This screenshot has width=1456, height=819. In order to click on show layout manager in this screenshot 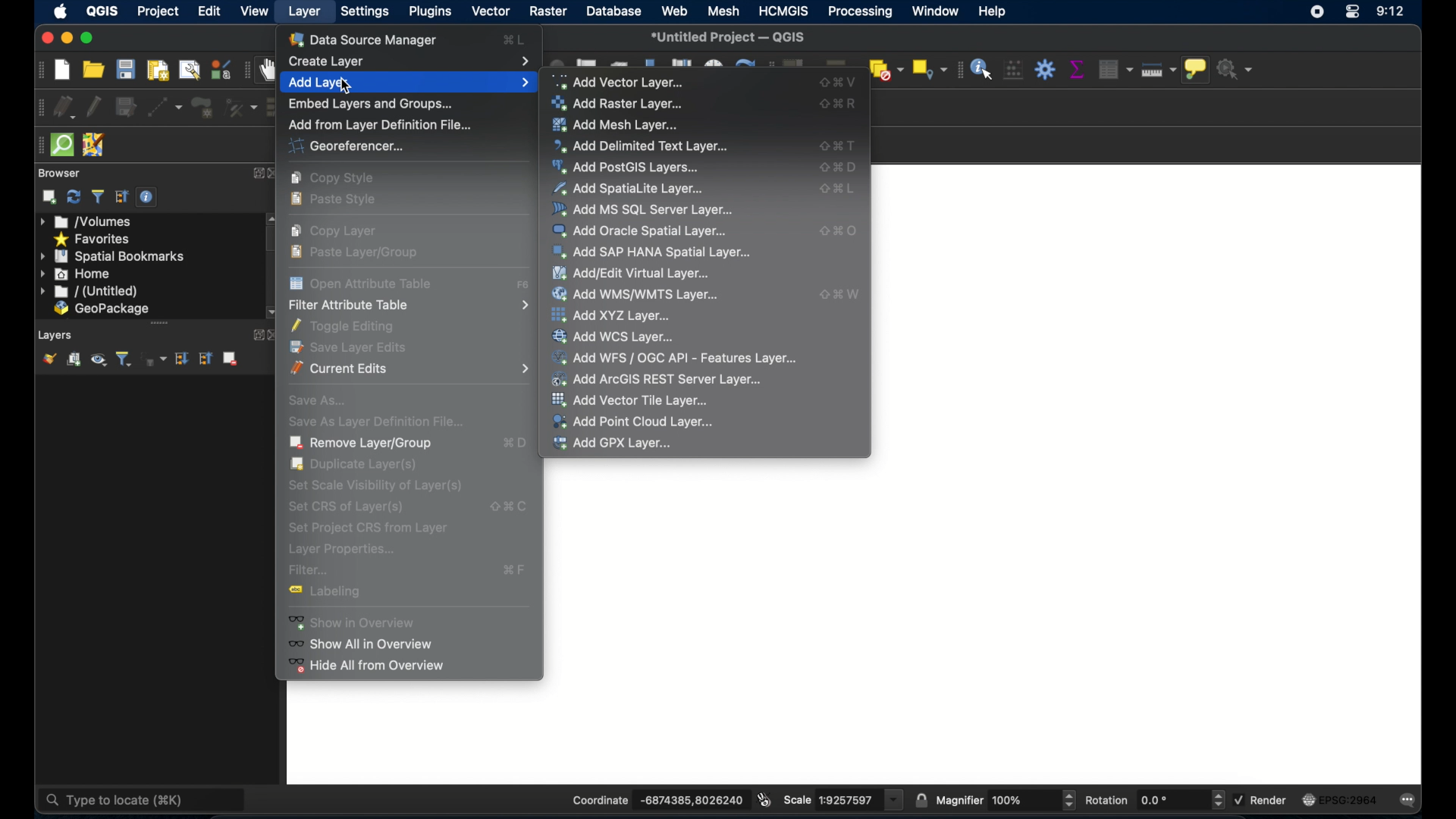, I will do `click(188, 69)`.